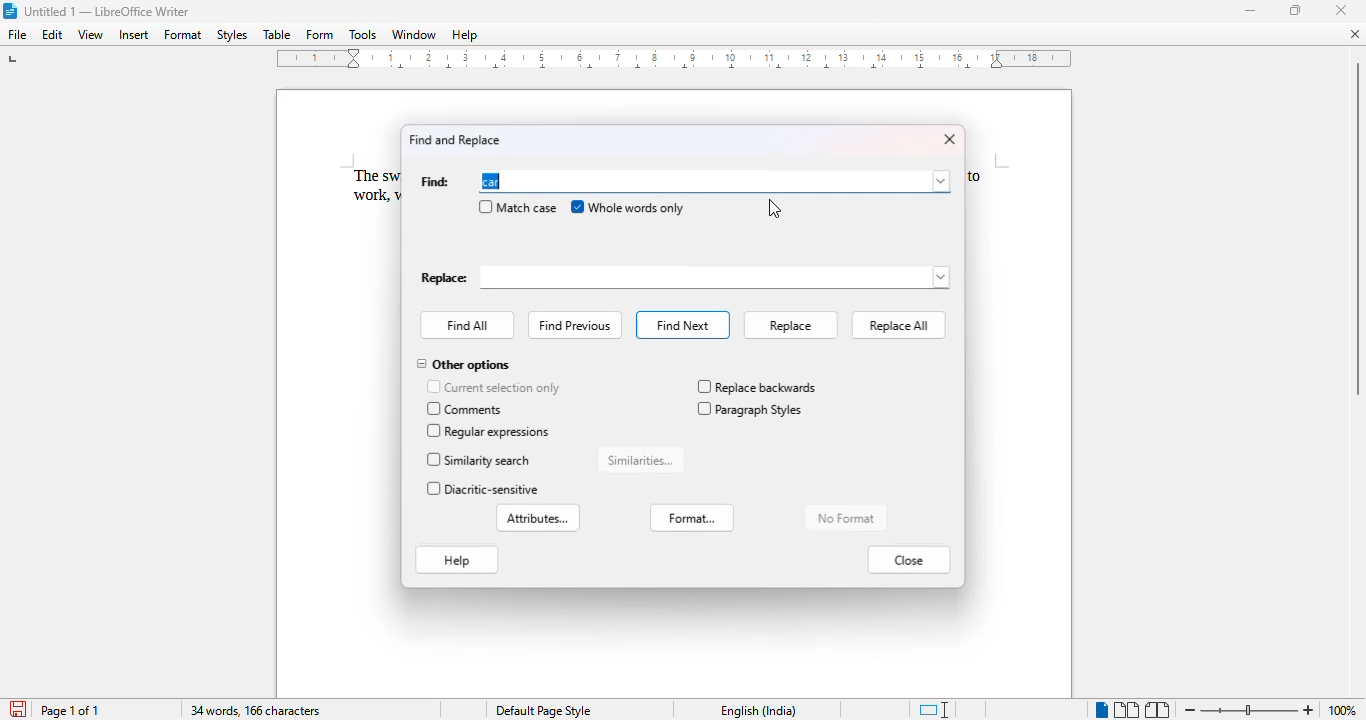 The height and width of the screenshot is (720, 1366). What do you see at coordinates (276, 35) in the screenshot?
I see `table` at bounding box center [276, 35].